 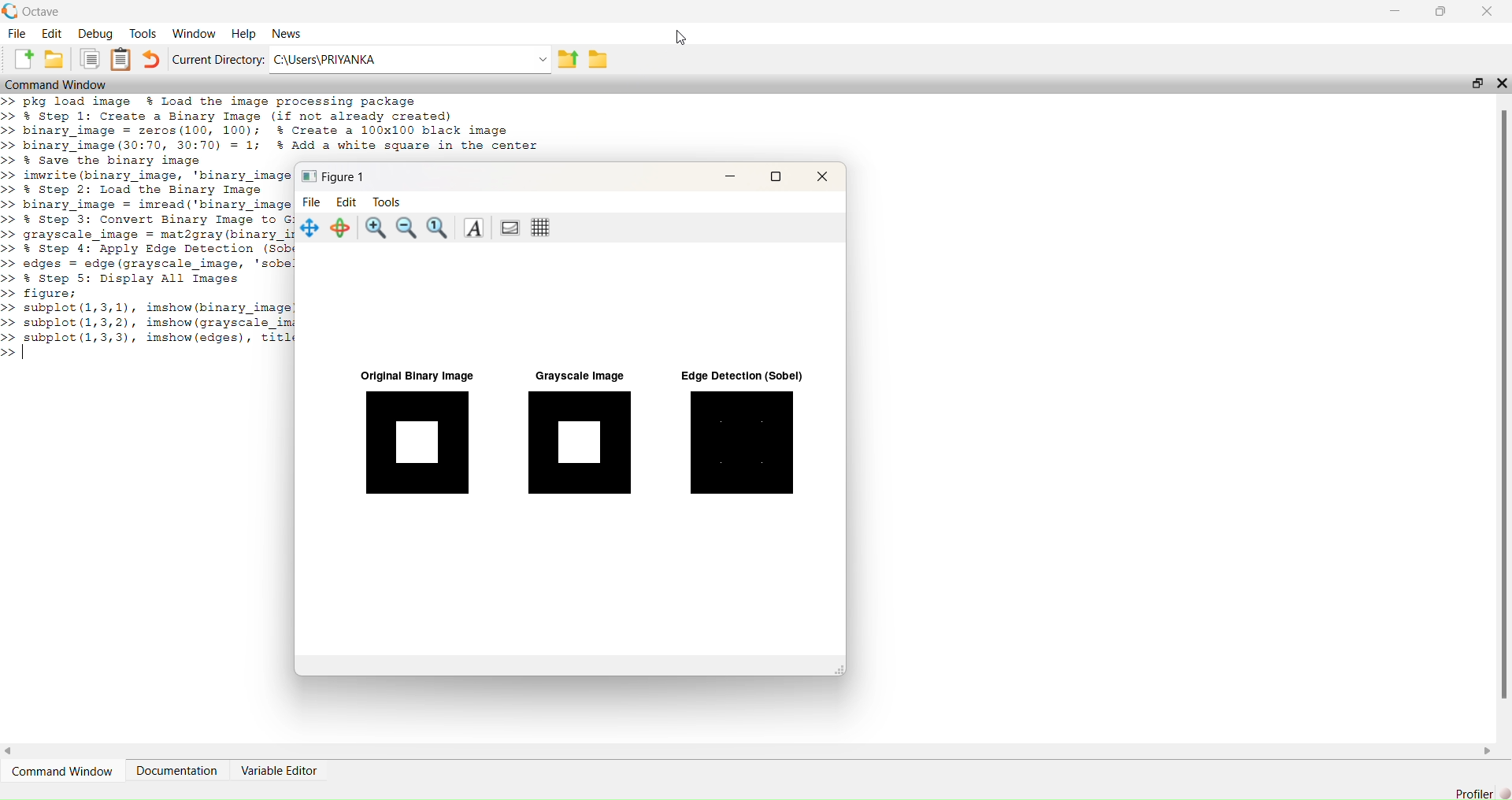 What do you see at coordinates (43, 12) in the screenshot?
I see `octave` at bounding box center [43, 12].